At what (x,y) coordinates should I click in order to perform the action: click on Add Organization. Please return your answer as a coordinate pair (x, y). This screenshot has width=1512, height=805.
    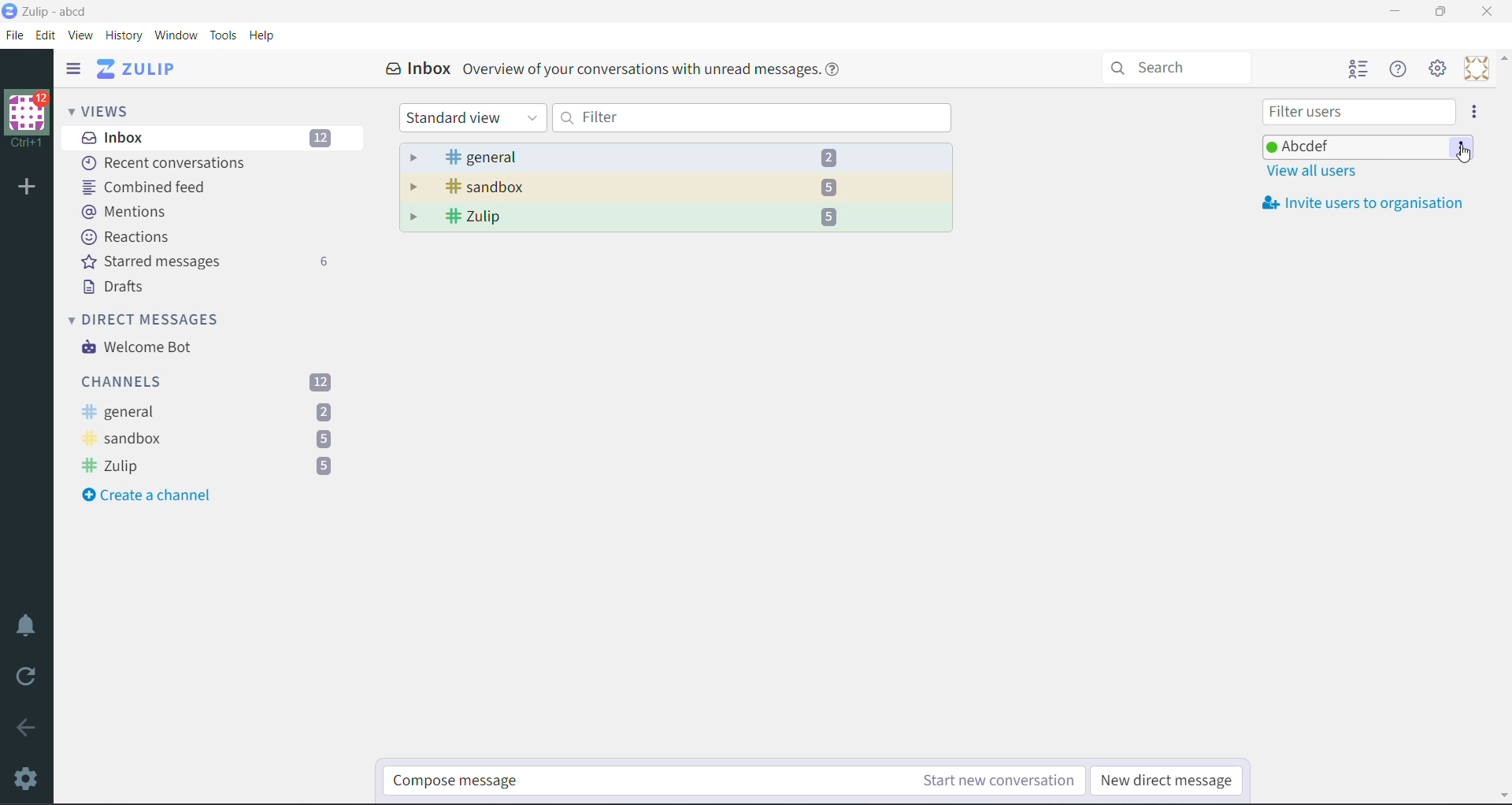
    Looking at the image, I should click on (28, 187).